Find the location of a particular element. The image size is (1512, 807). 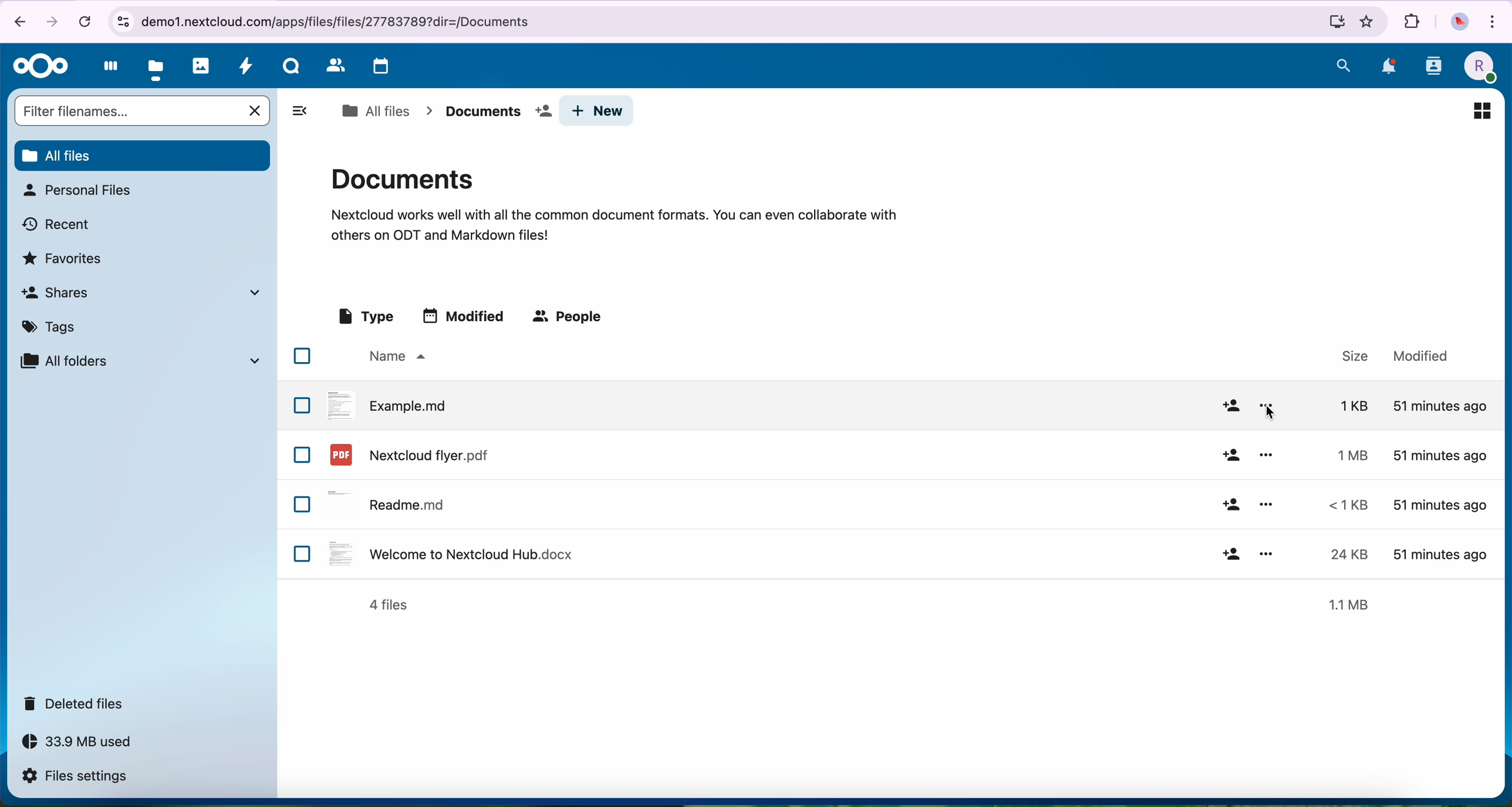

modified is located at coordinates (466, 315).